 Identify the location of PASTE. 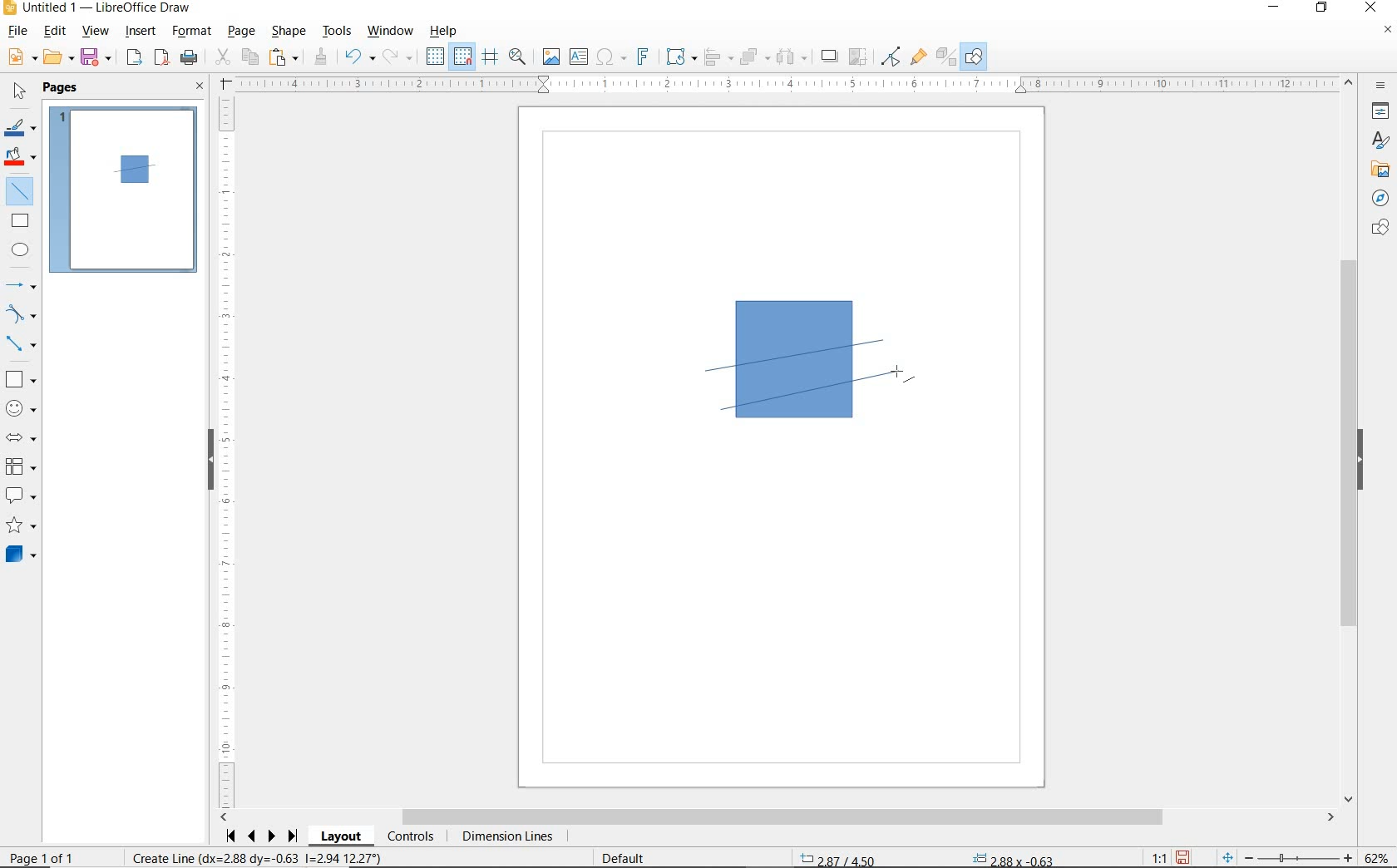
(284, 57).